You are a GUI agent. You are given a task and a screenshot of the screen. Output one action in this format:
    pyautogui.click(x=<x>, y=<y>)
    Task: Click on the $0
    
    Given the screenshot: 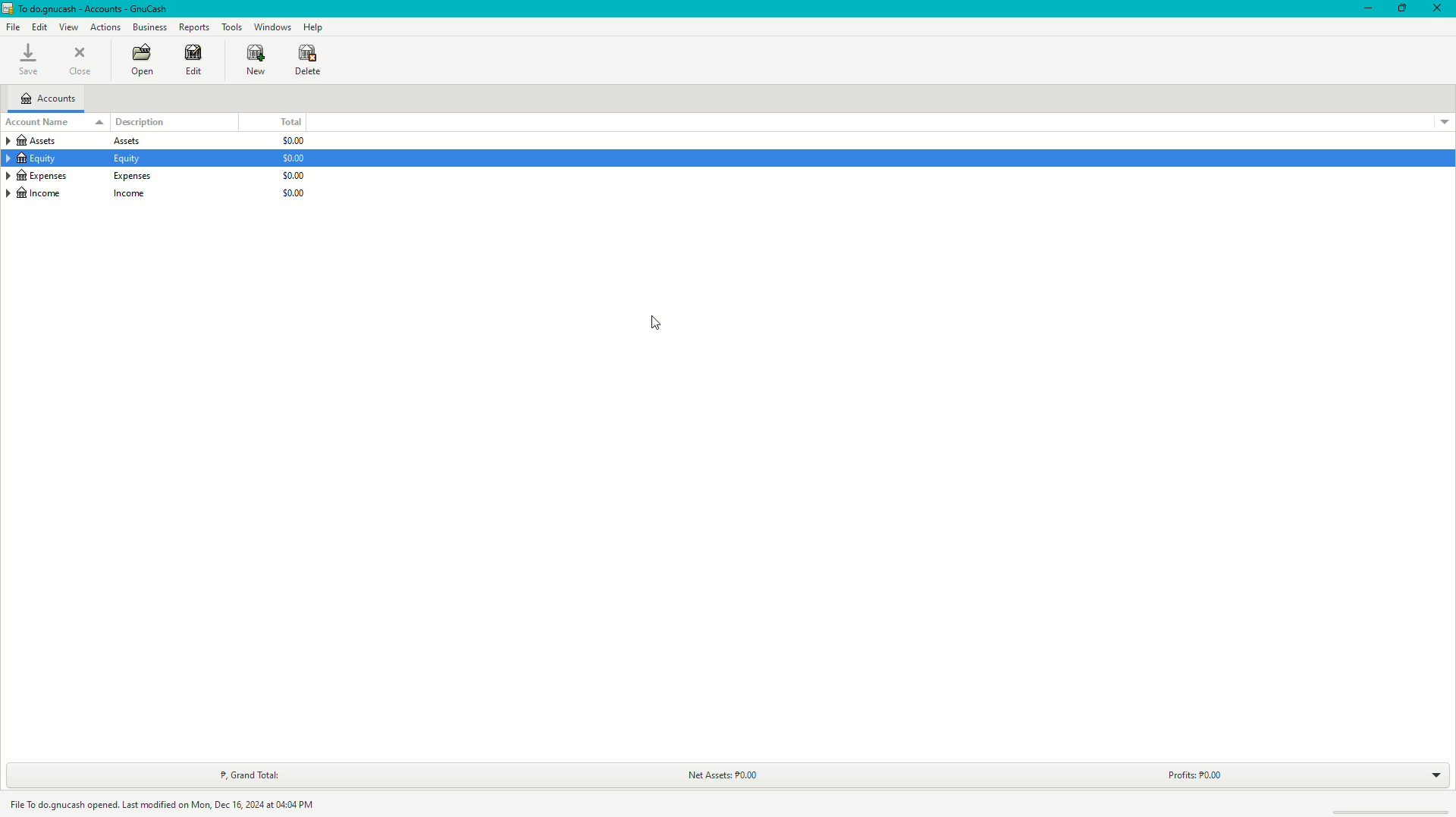 What is the action you would take?
    pyautogui.click(x=293, y=174)
    